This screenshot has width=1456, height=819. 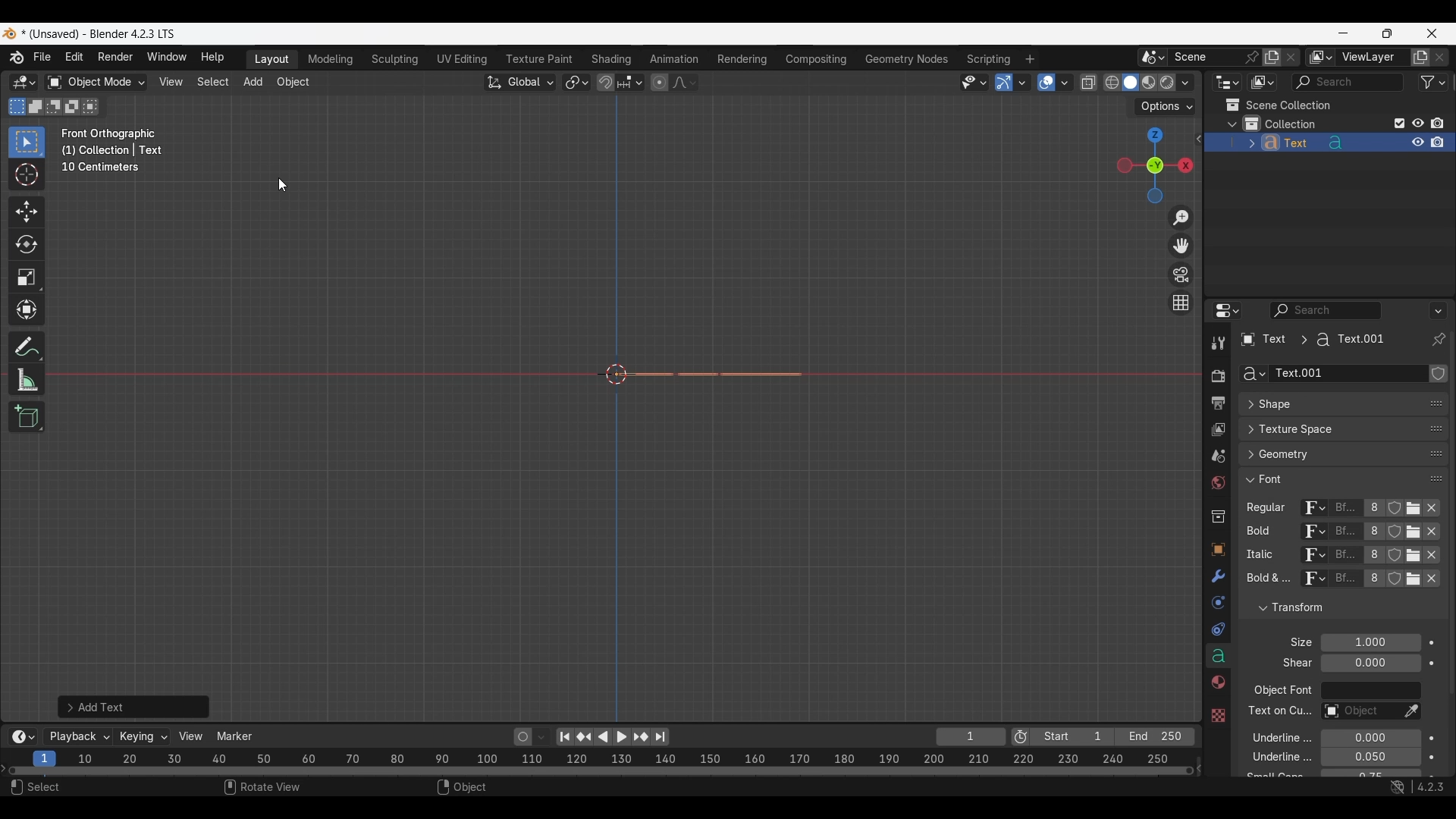 What do you see at coordinates (1321, 57) in the screenshot?
I see `The active workspace view layer showing in the window` at bounding box center [1321, 57].